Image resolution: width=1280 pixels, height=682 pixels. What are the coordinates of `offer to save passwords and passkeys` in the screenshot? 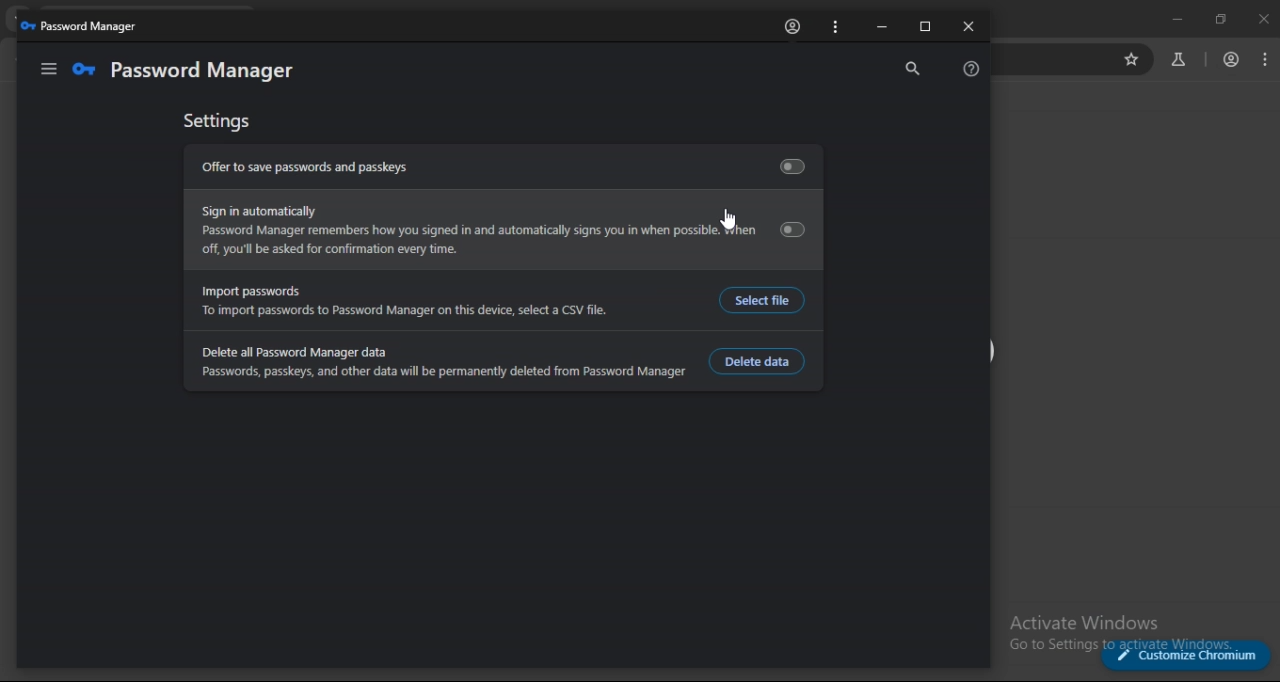 It's located at (504, 166).